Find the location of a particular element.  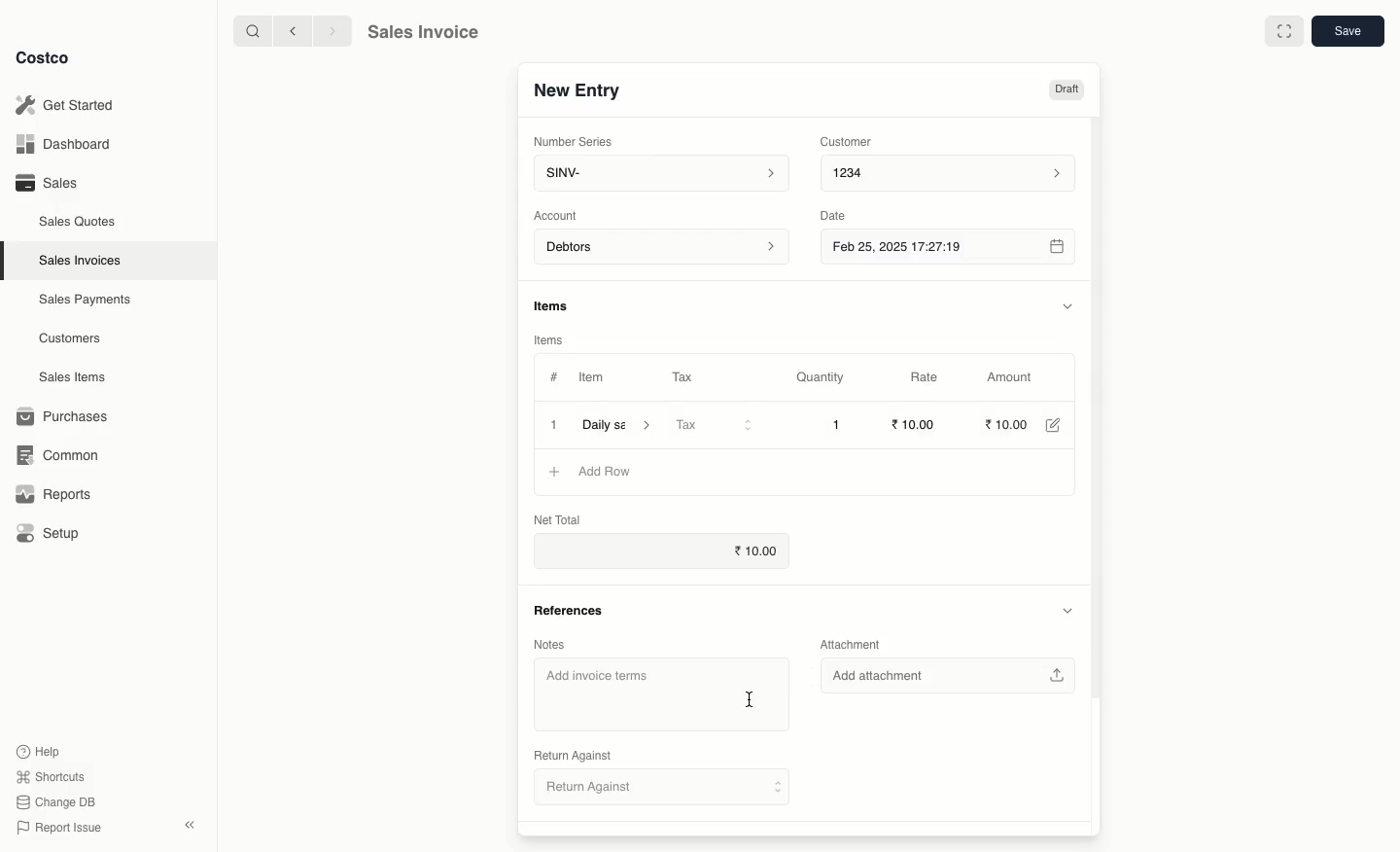

 is located at coordinates (556, 304).